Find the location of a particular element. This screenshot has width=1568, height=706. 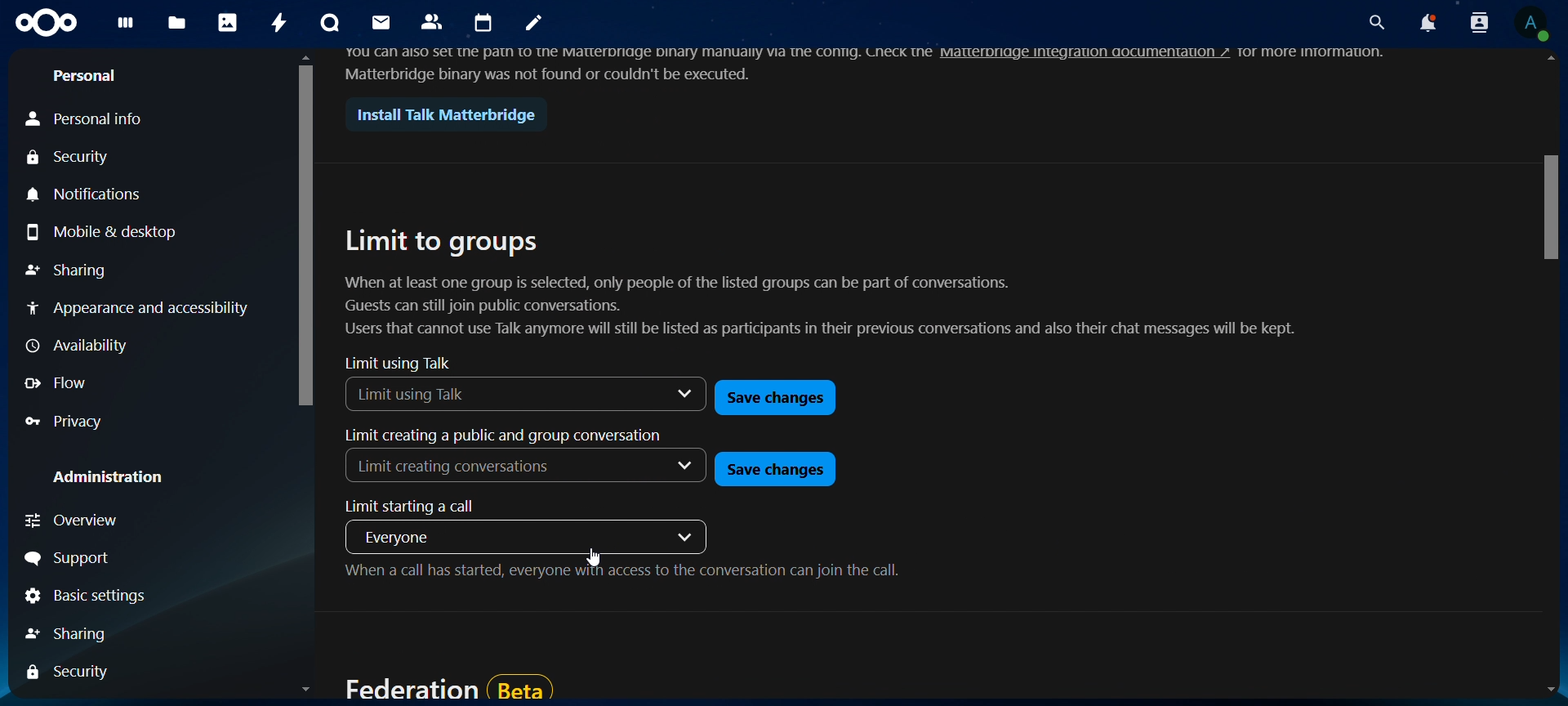

federation beta is located at coordinates (445, 683).